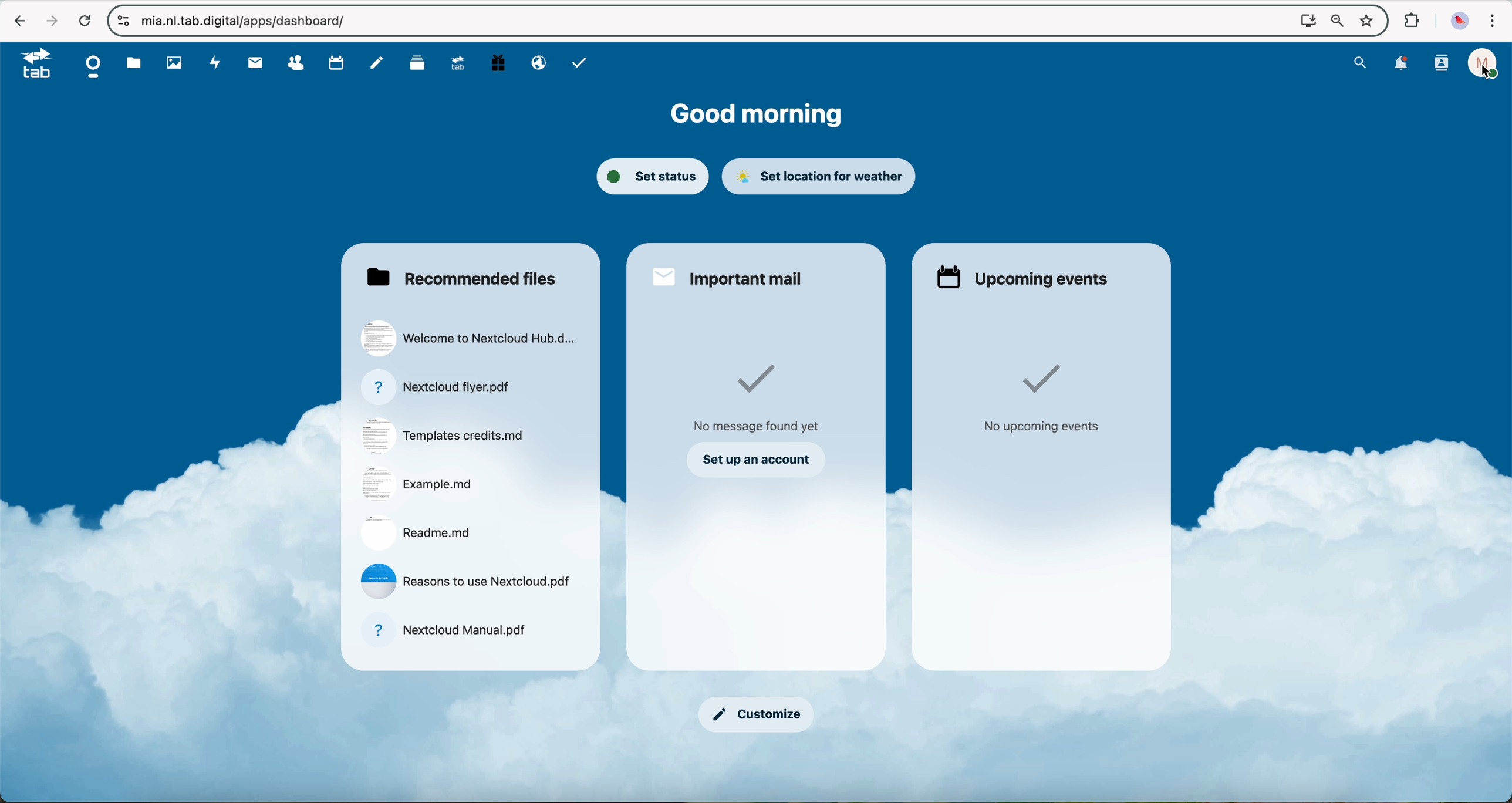  I want to click on set status, so click(652, 178).